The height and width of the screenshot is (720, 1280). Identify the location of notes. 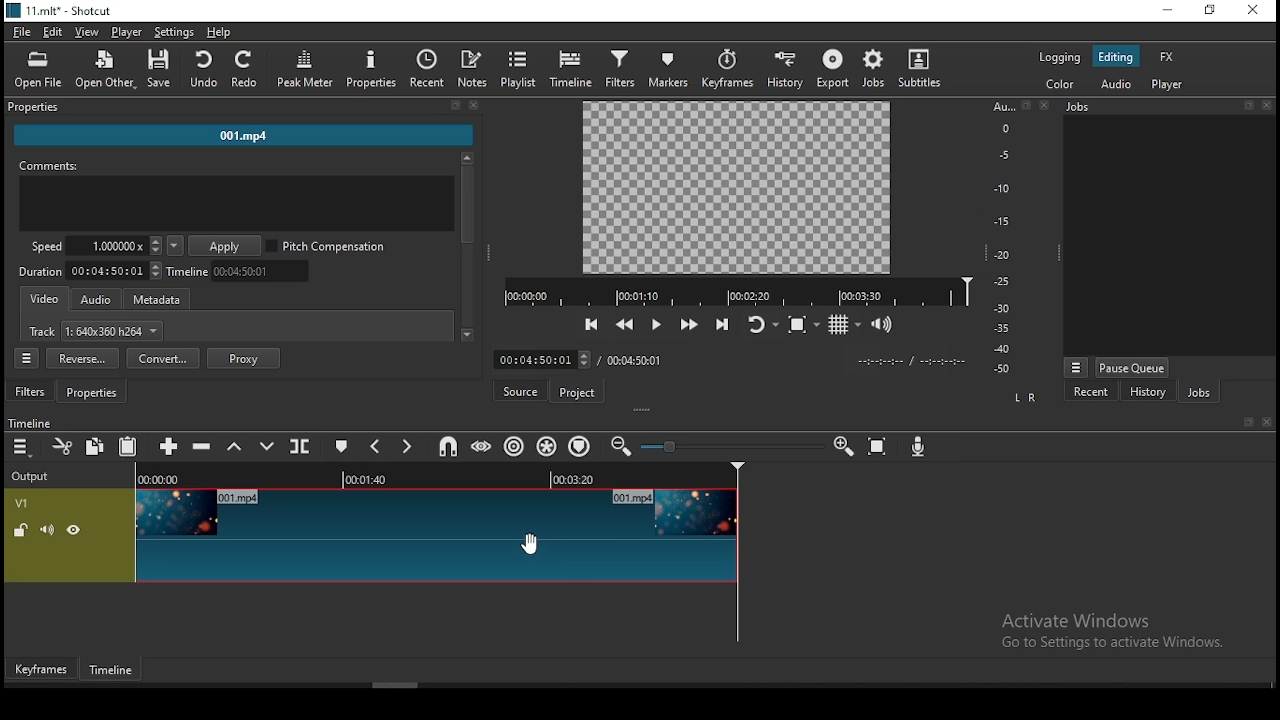
(474, 70).